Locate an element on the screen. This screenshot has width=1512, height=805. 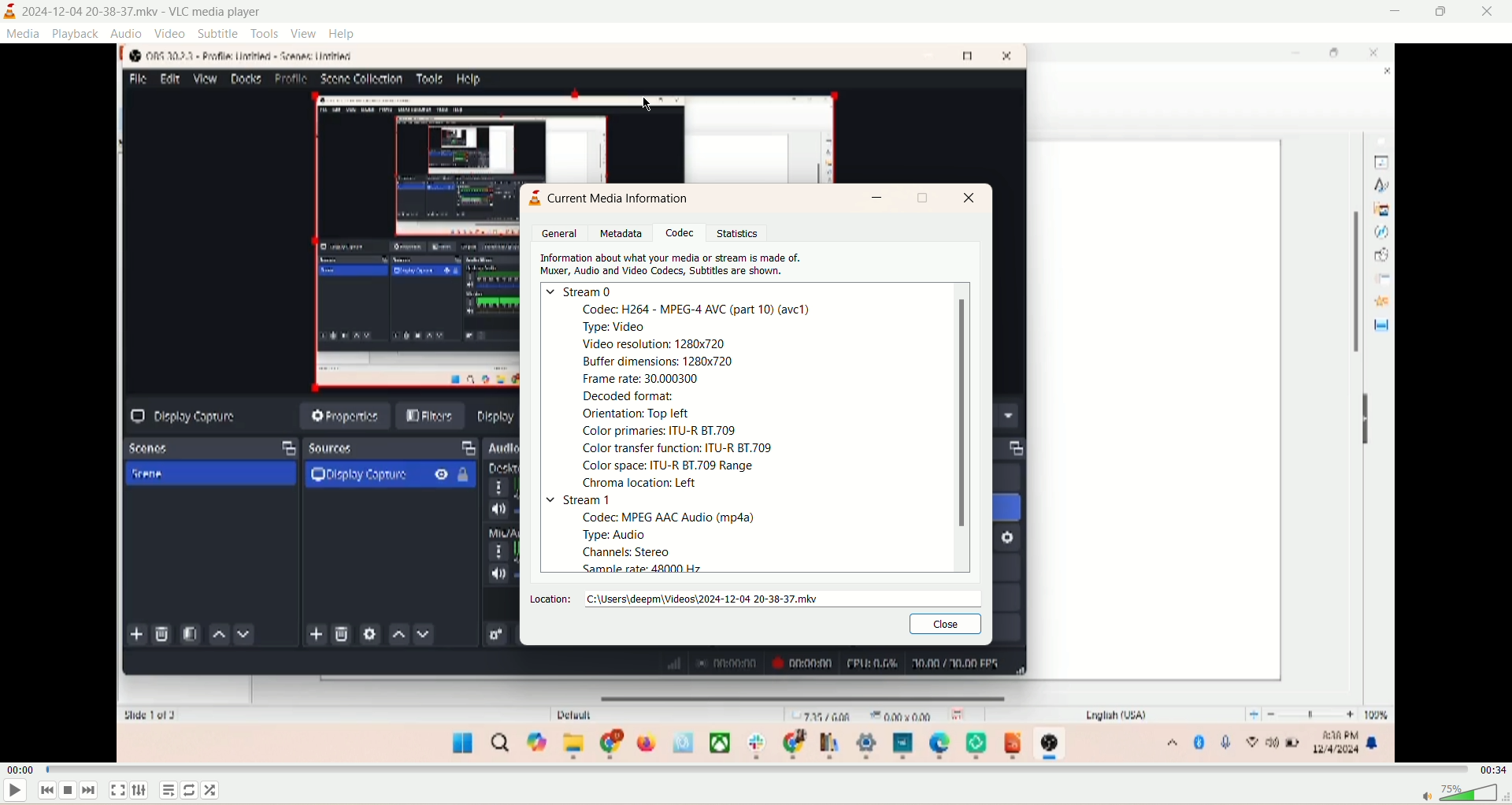
maximize is located at coordinates (1440, 14).